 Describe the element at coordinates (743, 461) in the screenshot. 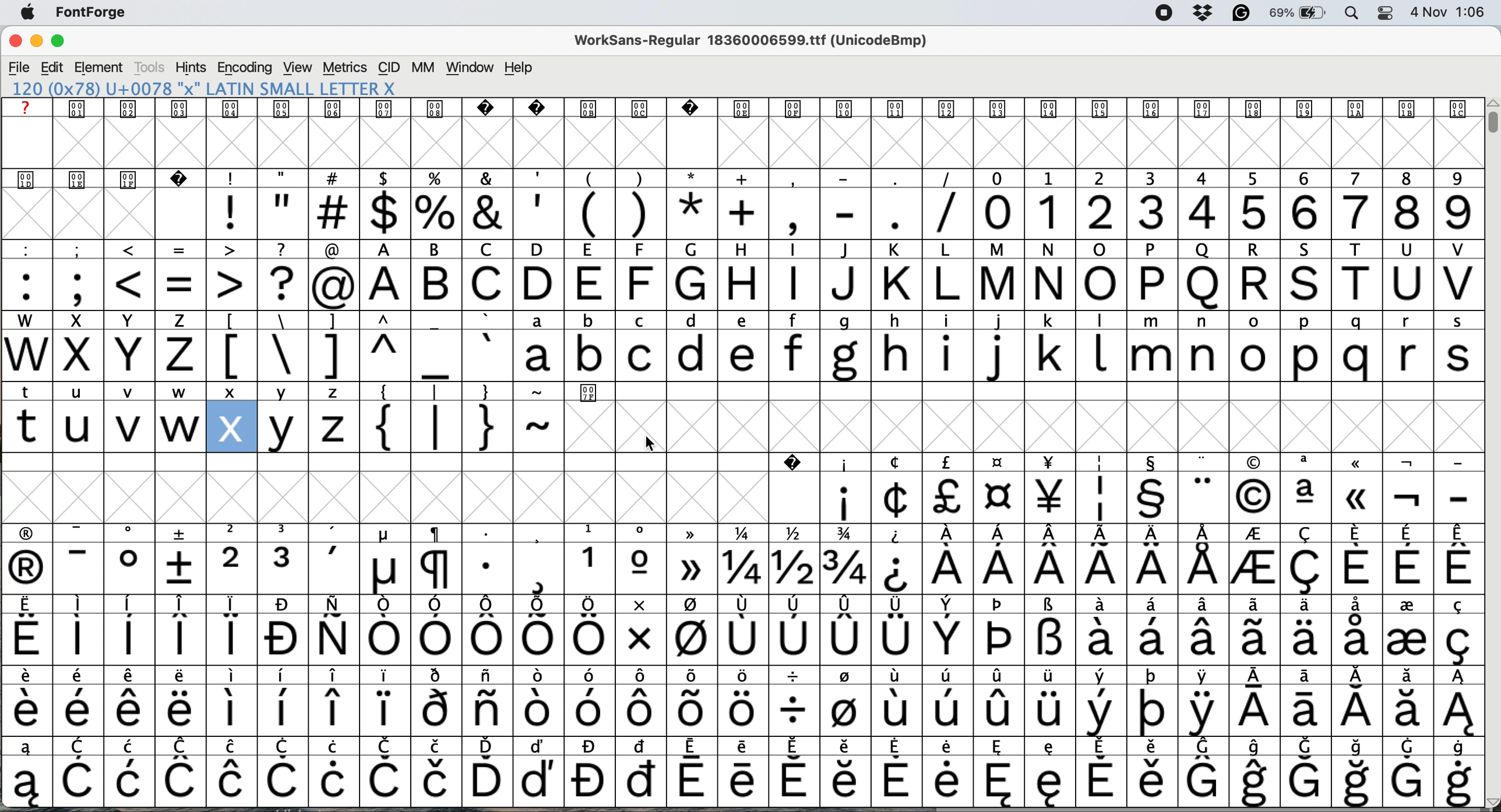

I see `SPECIAL CHARACTERS` at that location.